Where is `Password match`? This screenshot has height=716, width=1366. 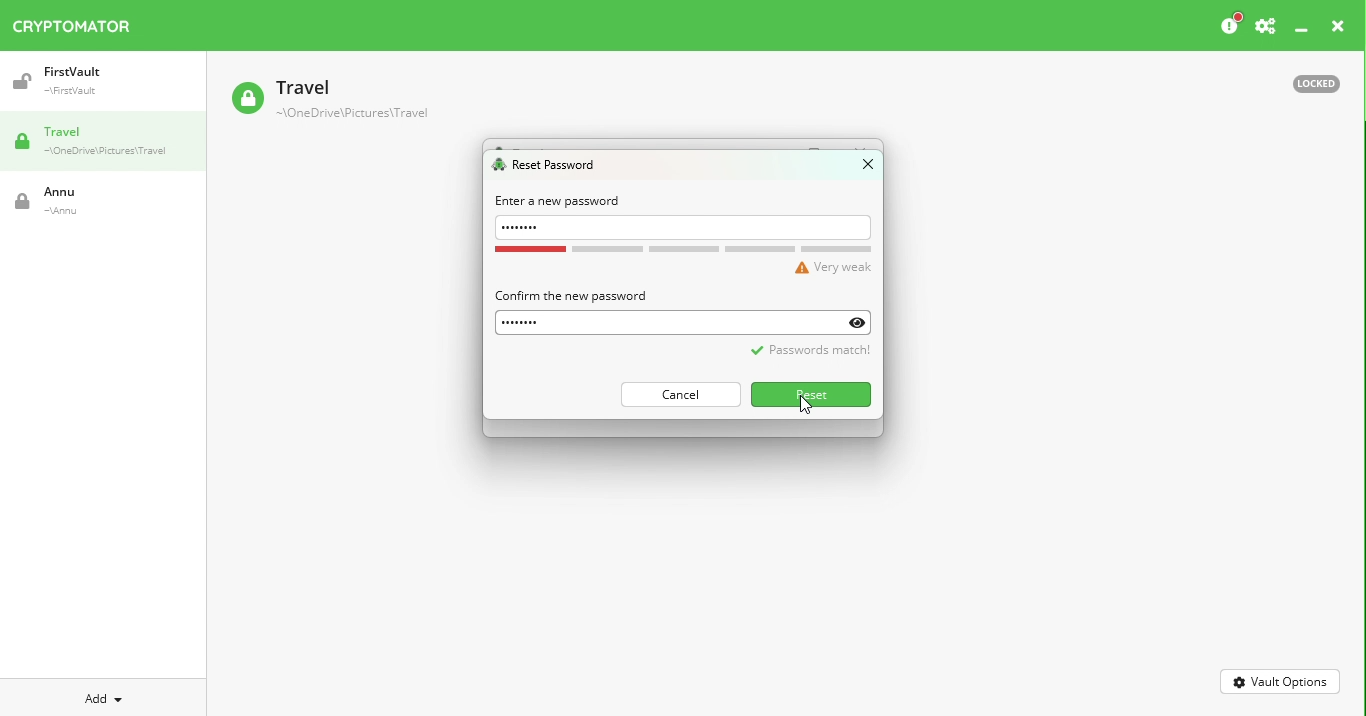 Password match is located at coordinates (808, 357).